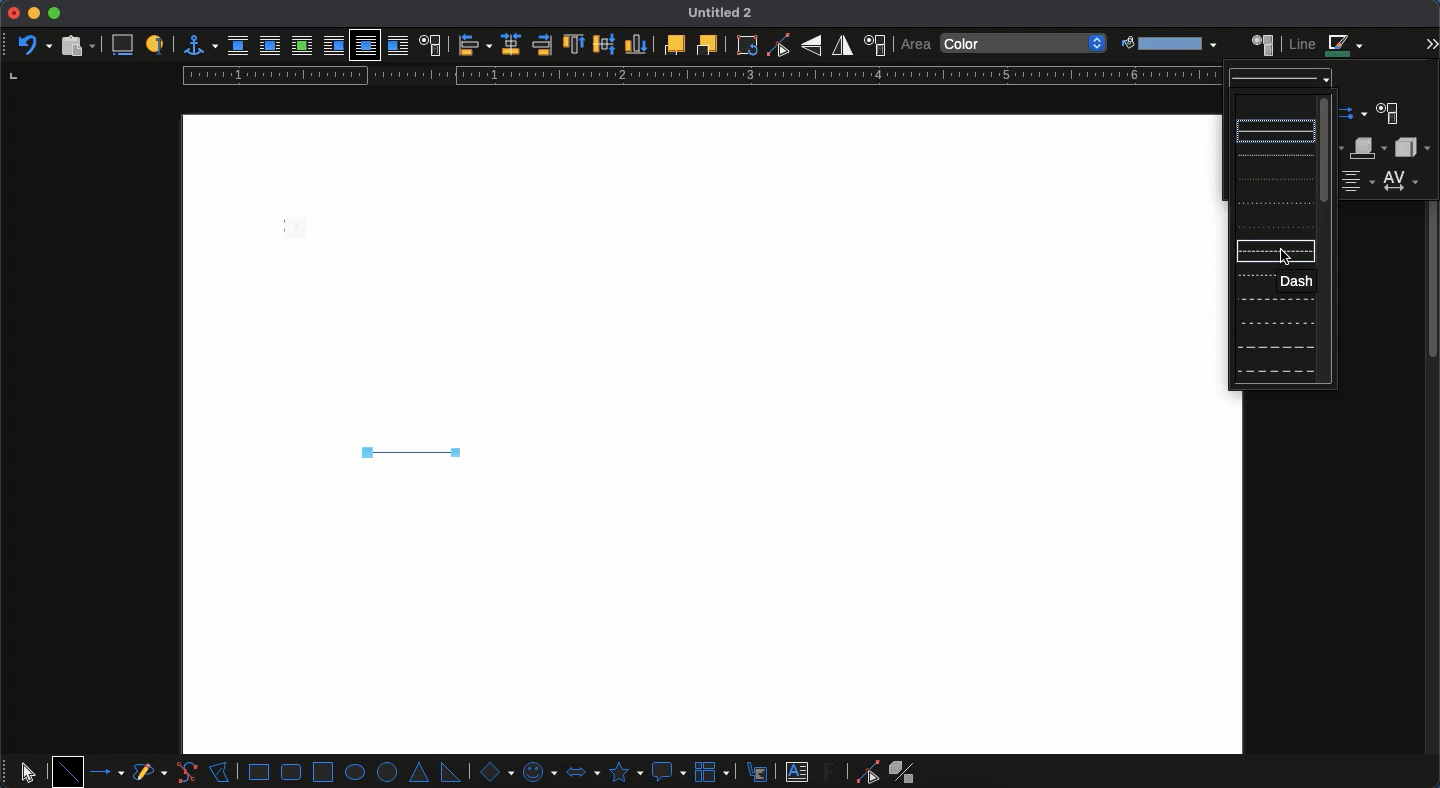 This screenshot has height=788, width=1440. Describe the element at coordinates (915, 45) in the screenshot. I see `area` at that location.